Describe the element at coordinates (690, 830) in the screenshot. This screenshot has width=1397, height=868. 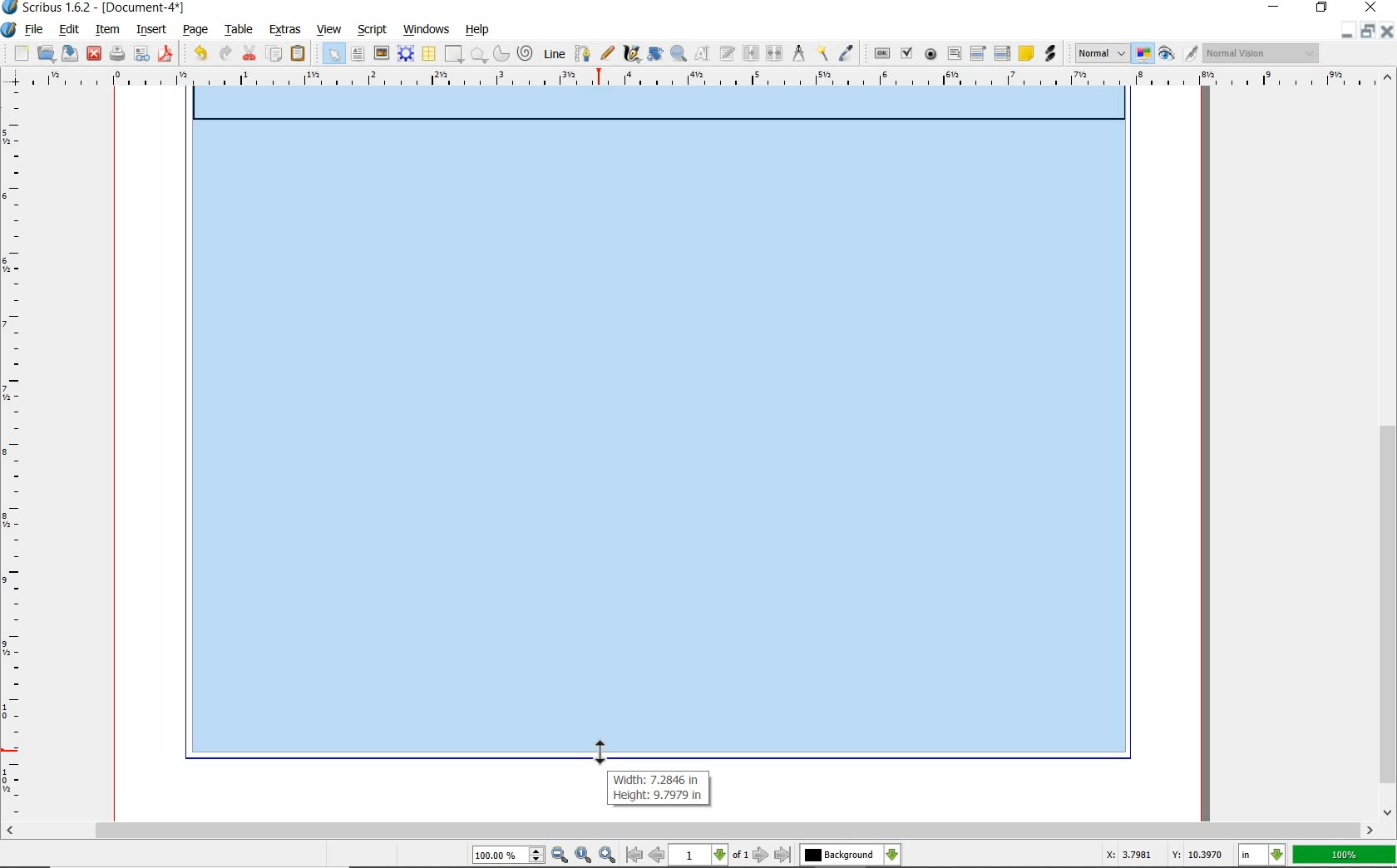
I see `scrollbar` at that location.